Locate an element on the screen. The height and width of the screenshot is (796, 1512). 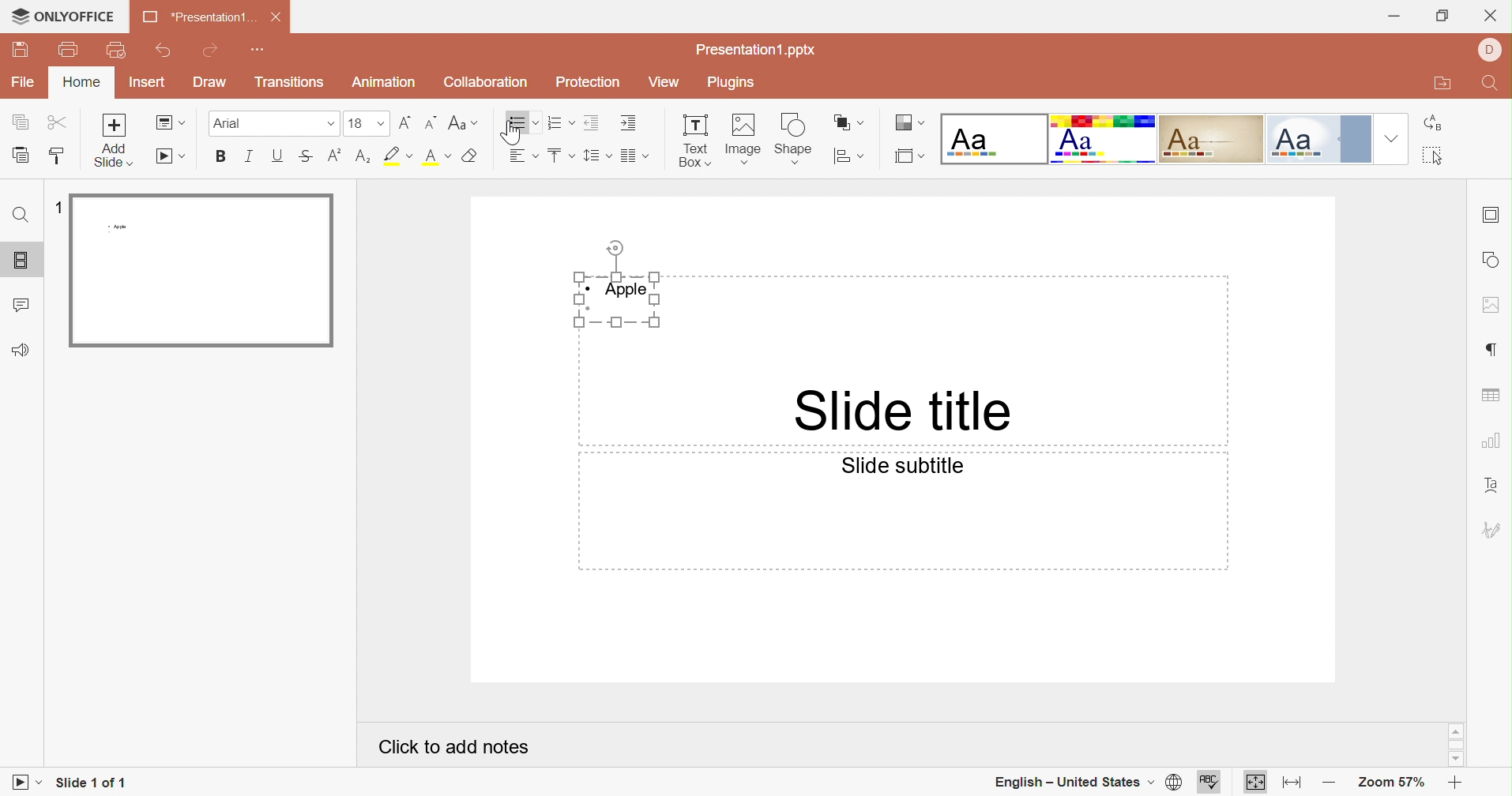
Numbering is located at coordinates (553, 123).